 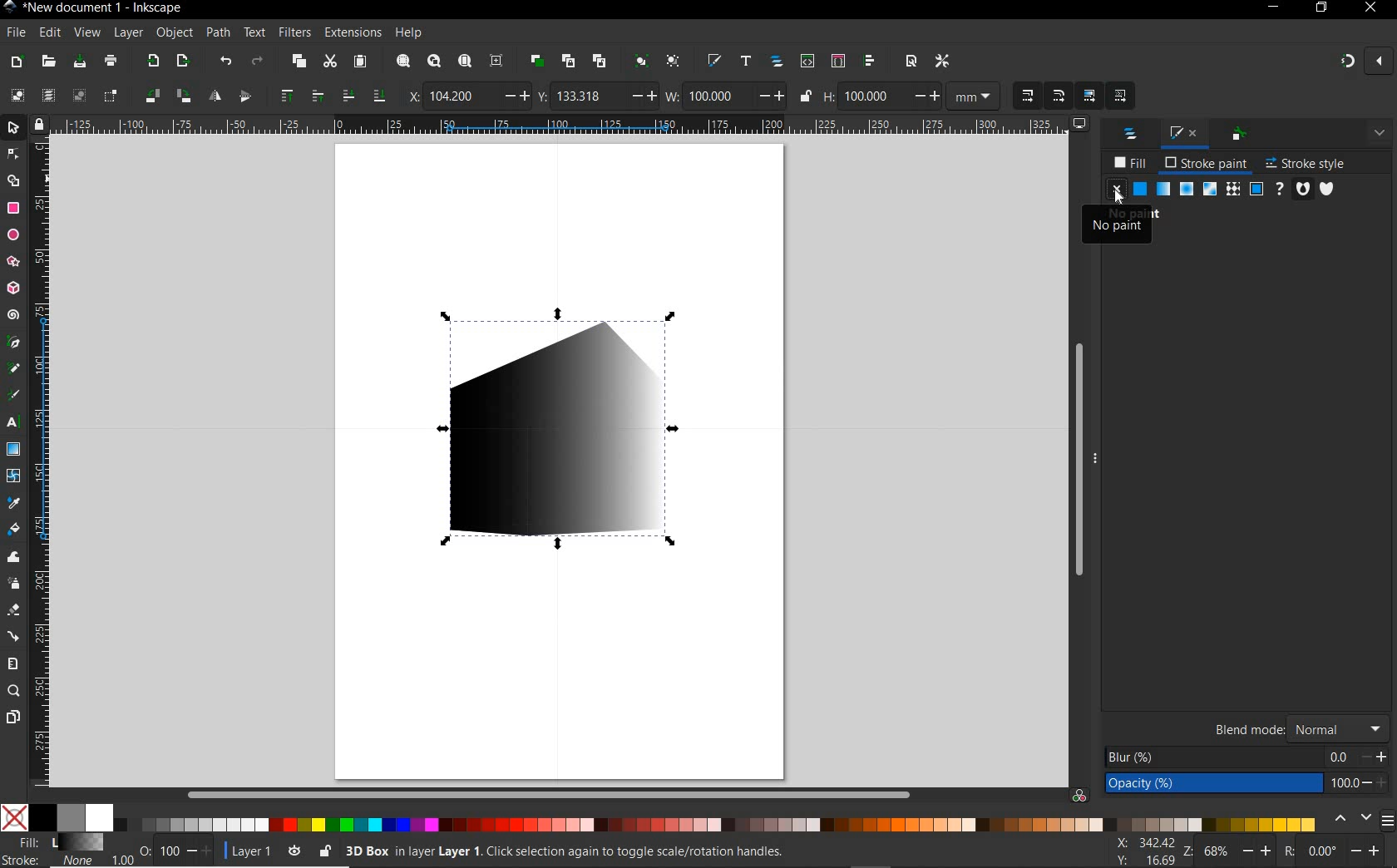 I want to click on 100, so click(x=170, y=850).